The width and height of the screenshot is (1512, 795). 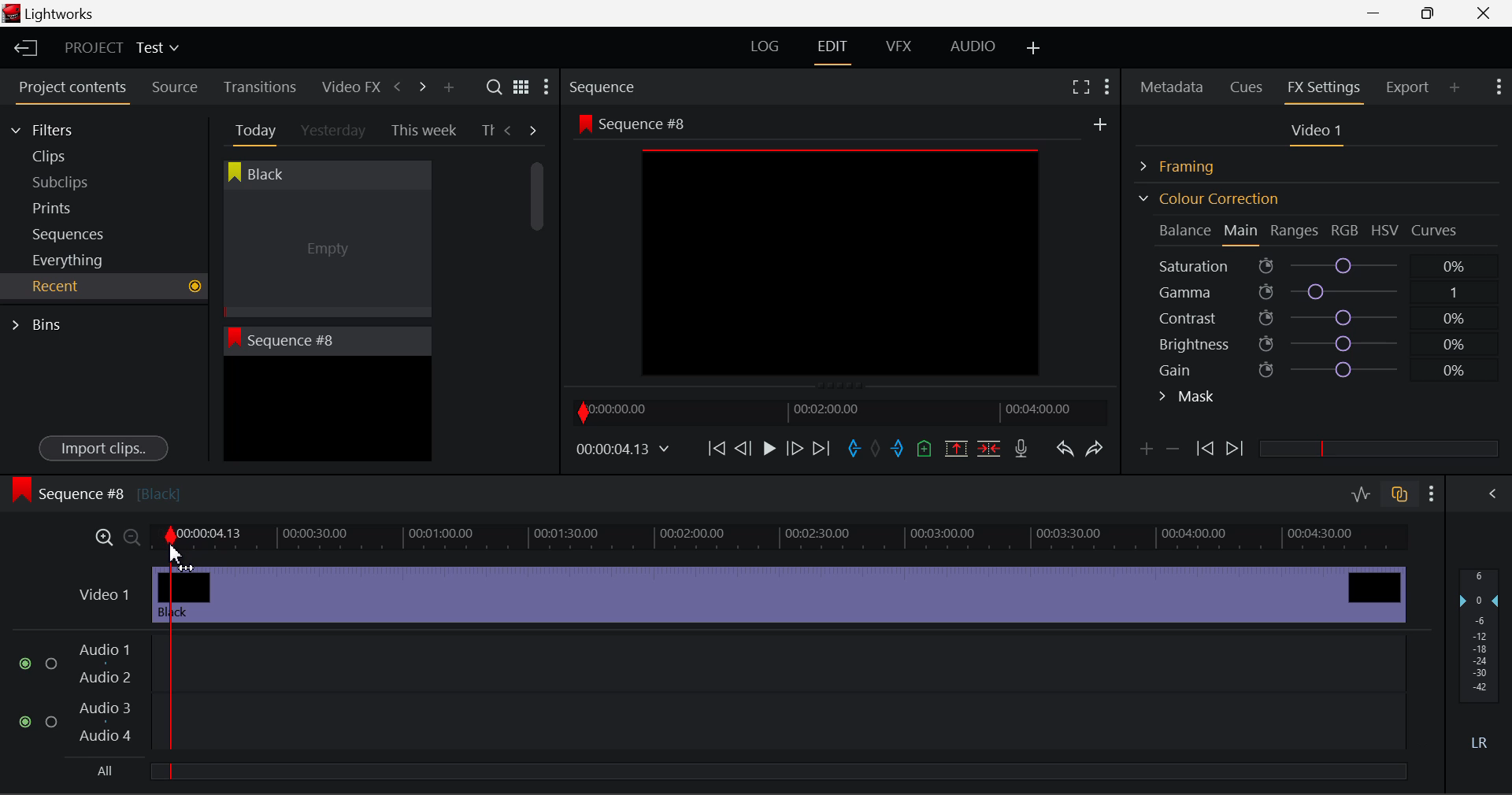 What do you see at coordinates (1095, 448) in the screenshot?
I see `Redo` at bounding box center [1095, 448].